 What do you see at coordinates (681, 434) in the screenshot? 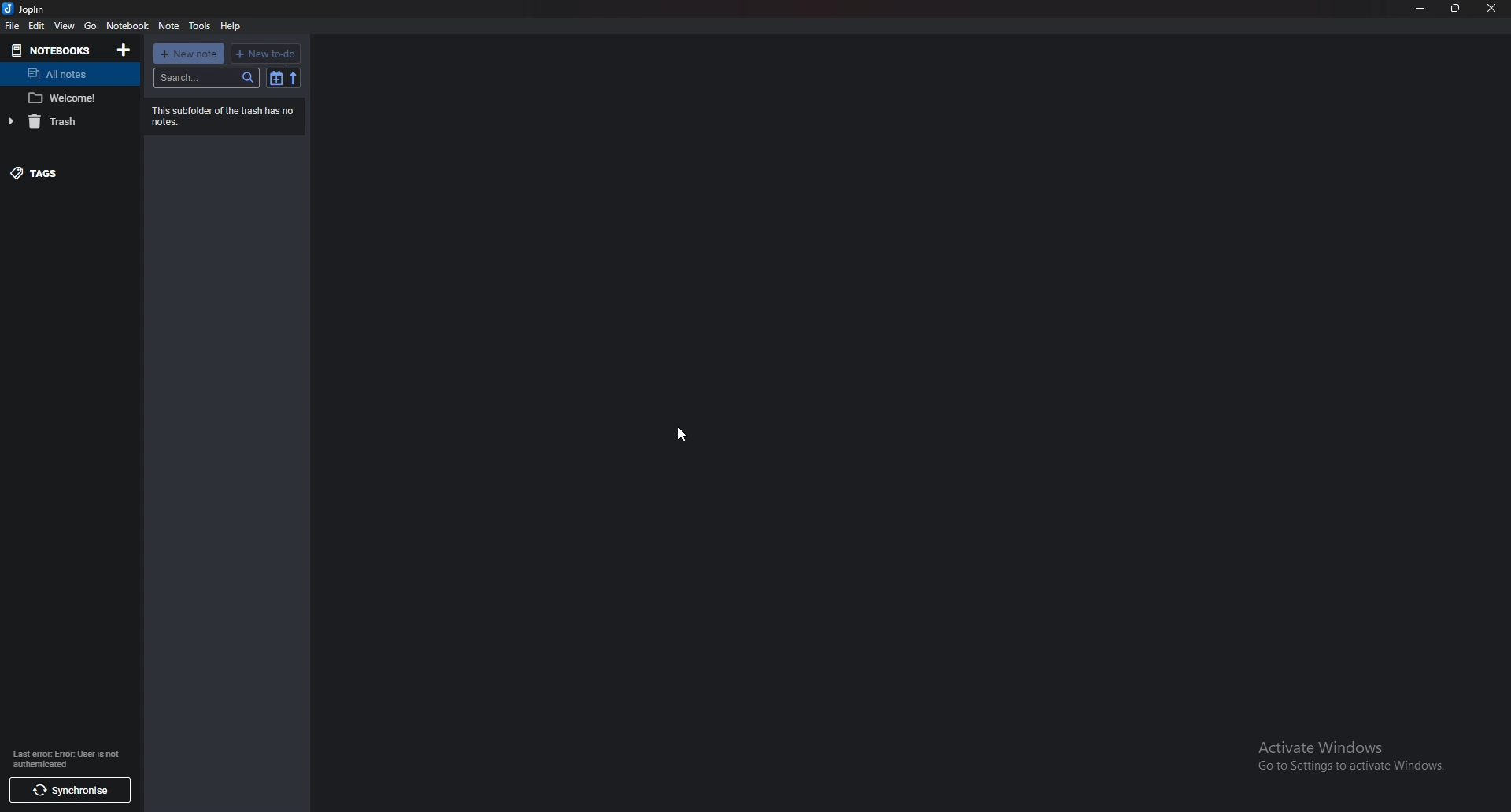
I see `Cursor` at bounding box center [681, 434].